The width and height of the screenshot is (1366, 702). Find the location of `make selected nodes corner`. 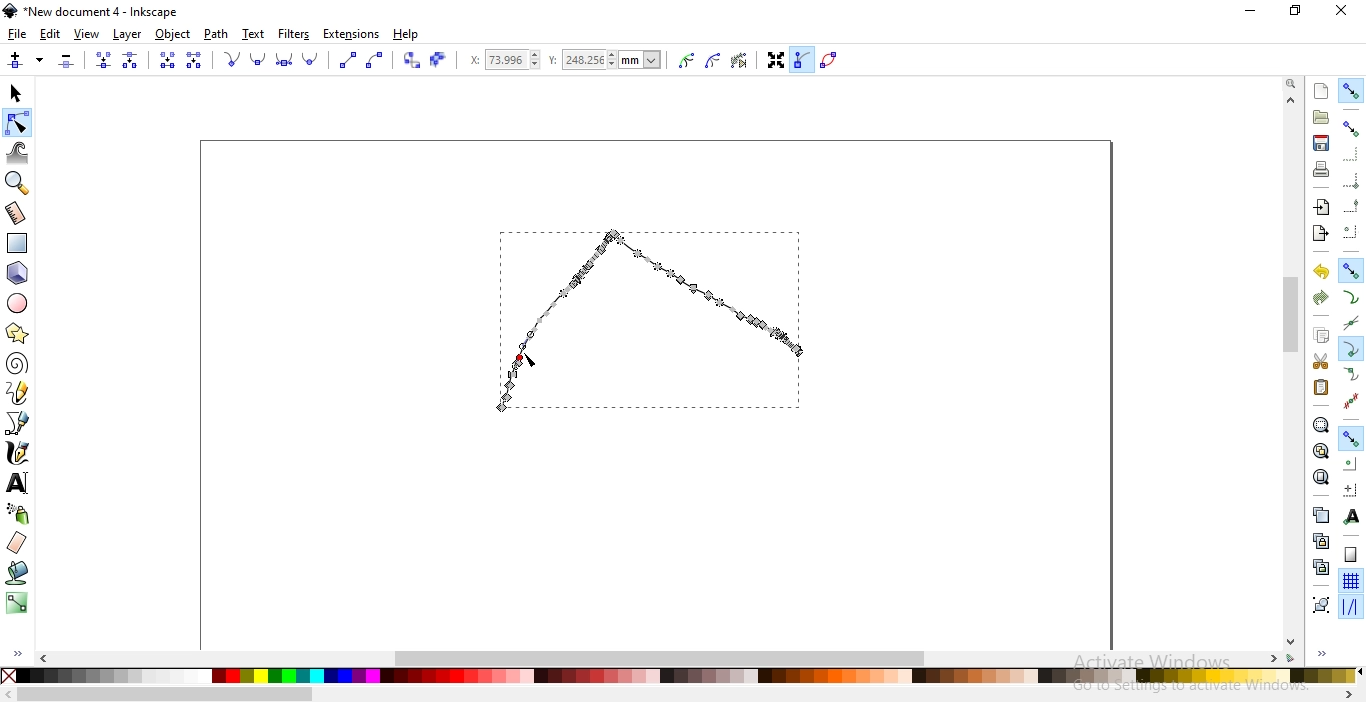

make selected nodes corner is located at coordinates (231, 59).